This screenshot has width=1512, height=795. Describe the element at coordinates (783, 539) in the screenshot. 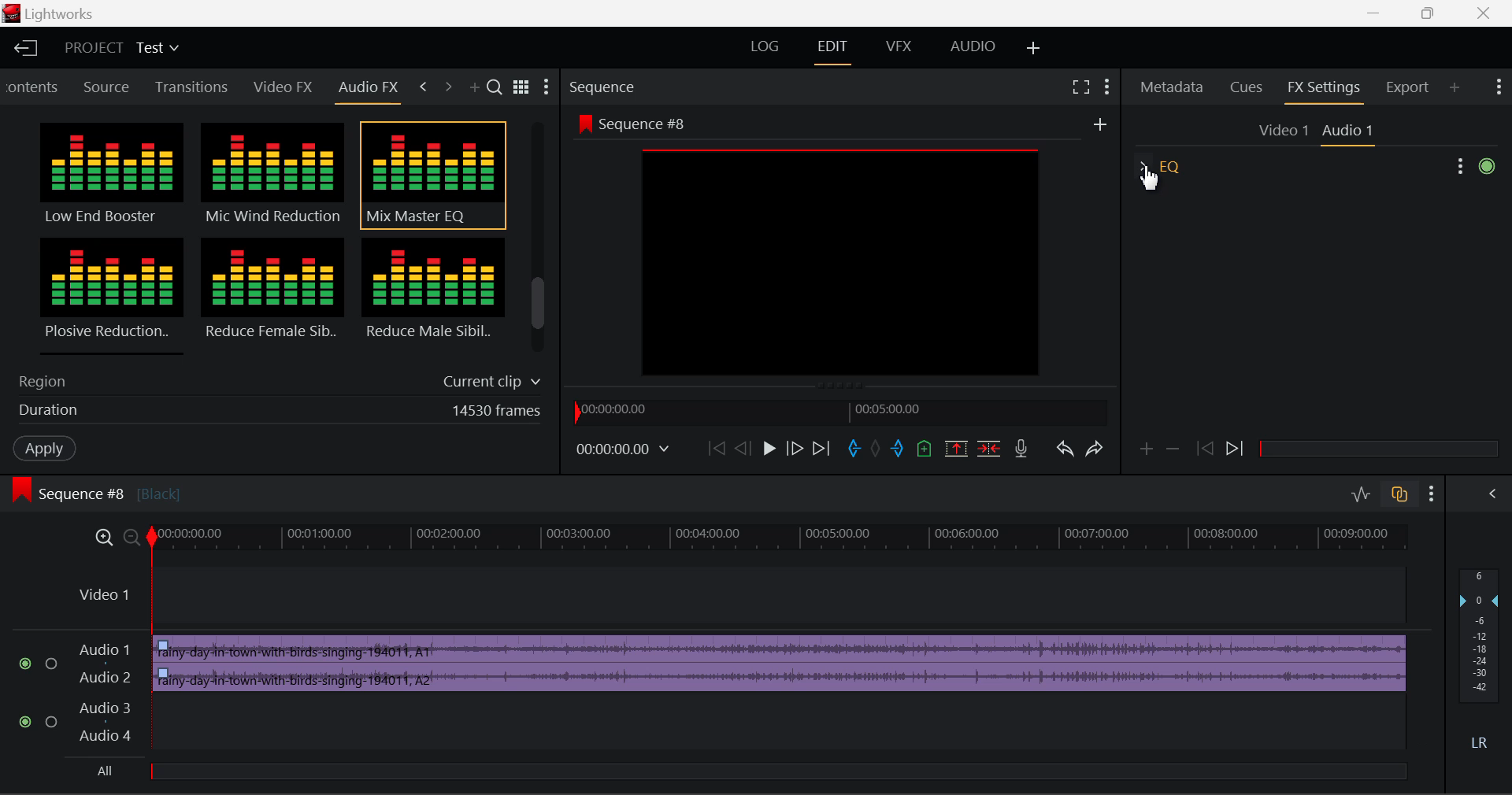

I see `Project Timeline` at that location.